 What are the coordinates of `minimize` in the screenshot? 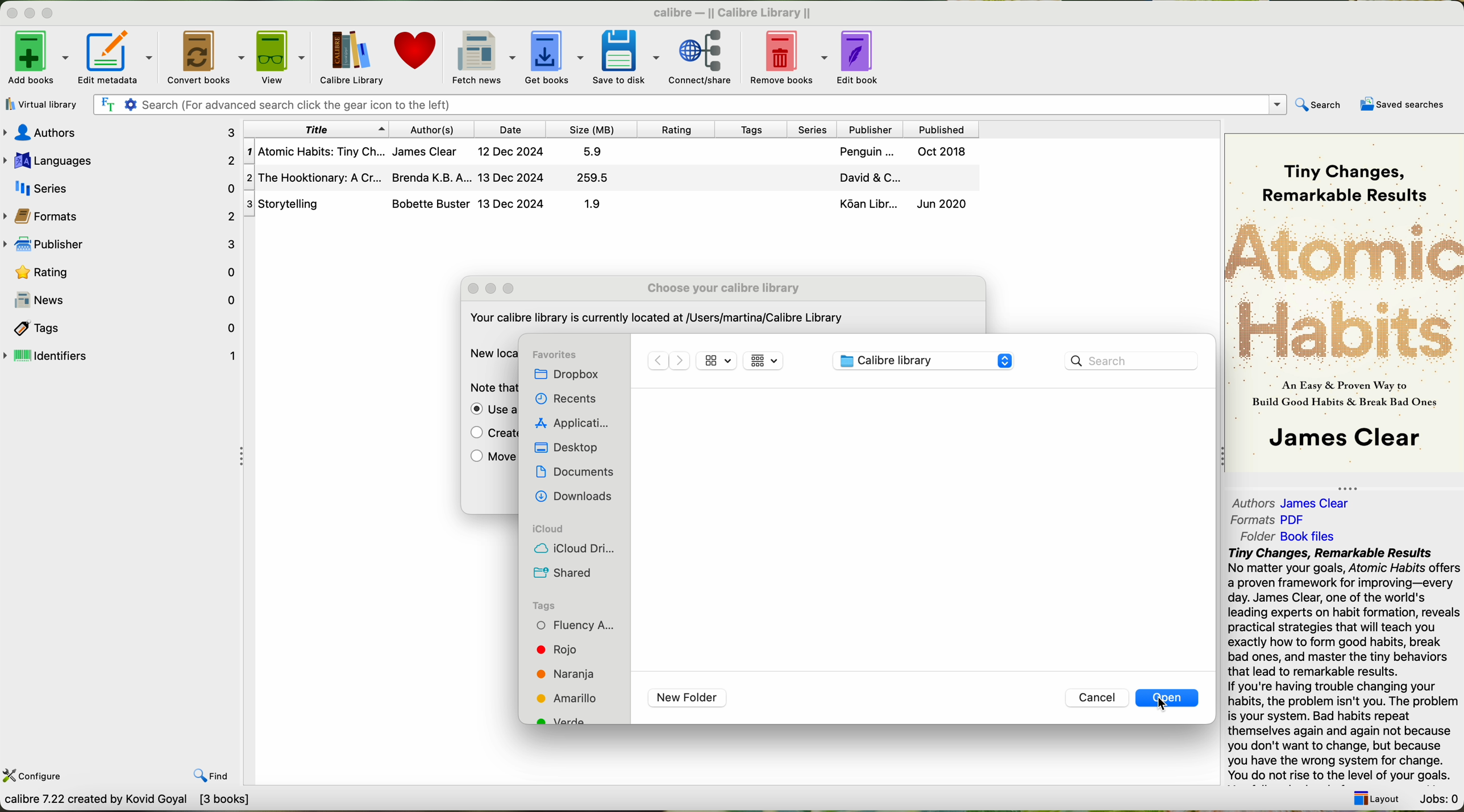 It's located at (492, 288).